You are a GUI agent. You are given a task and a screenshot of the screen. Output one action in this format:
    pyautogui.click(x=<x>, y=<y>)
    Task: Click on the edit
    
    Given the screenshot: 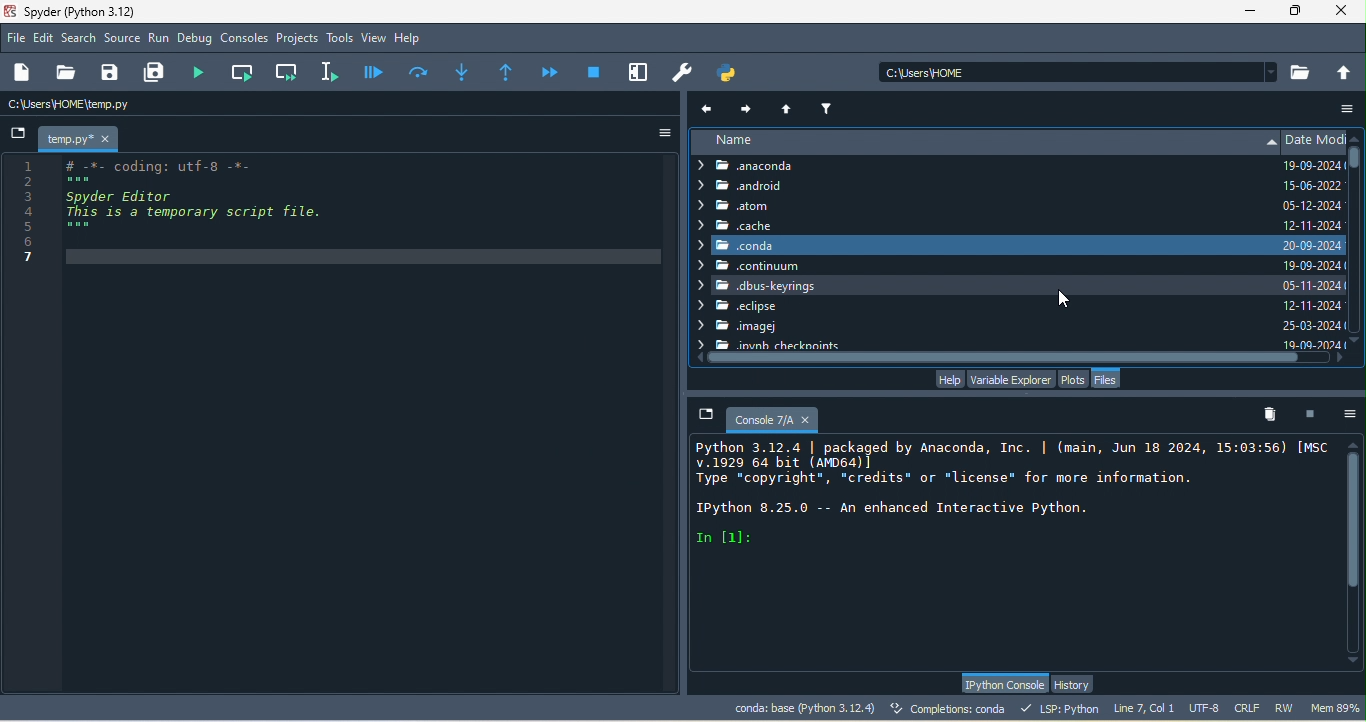 What is the action you would take?
    pyautogui.click(x=45, y=39)
    